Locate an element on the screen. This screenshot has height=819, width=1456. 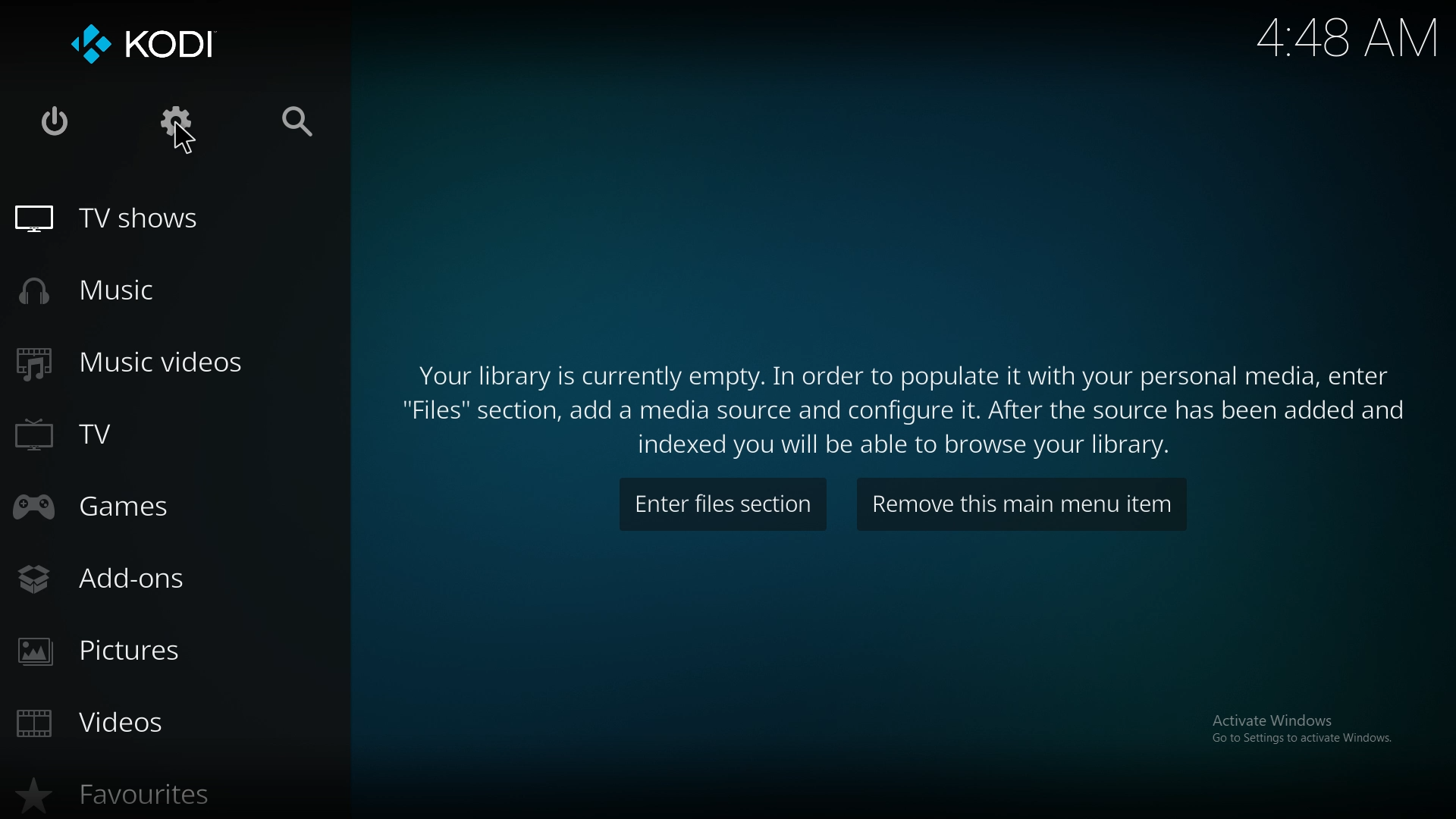
add ons is located at coordinates (116, 580).